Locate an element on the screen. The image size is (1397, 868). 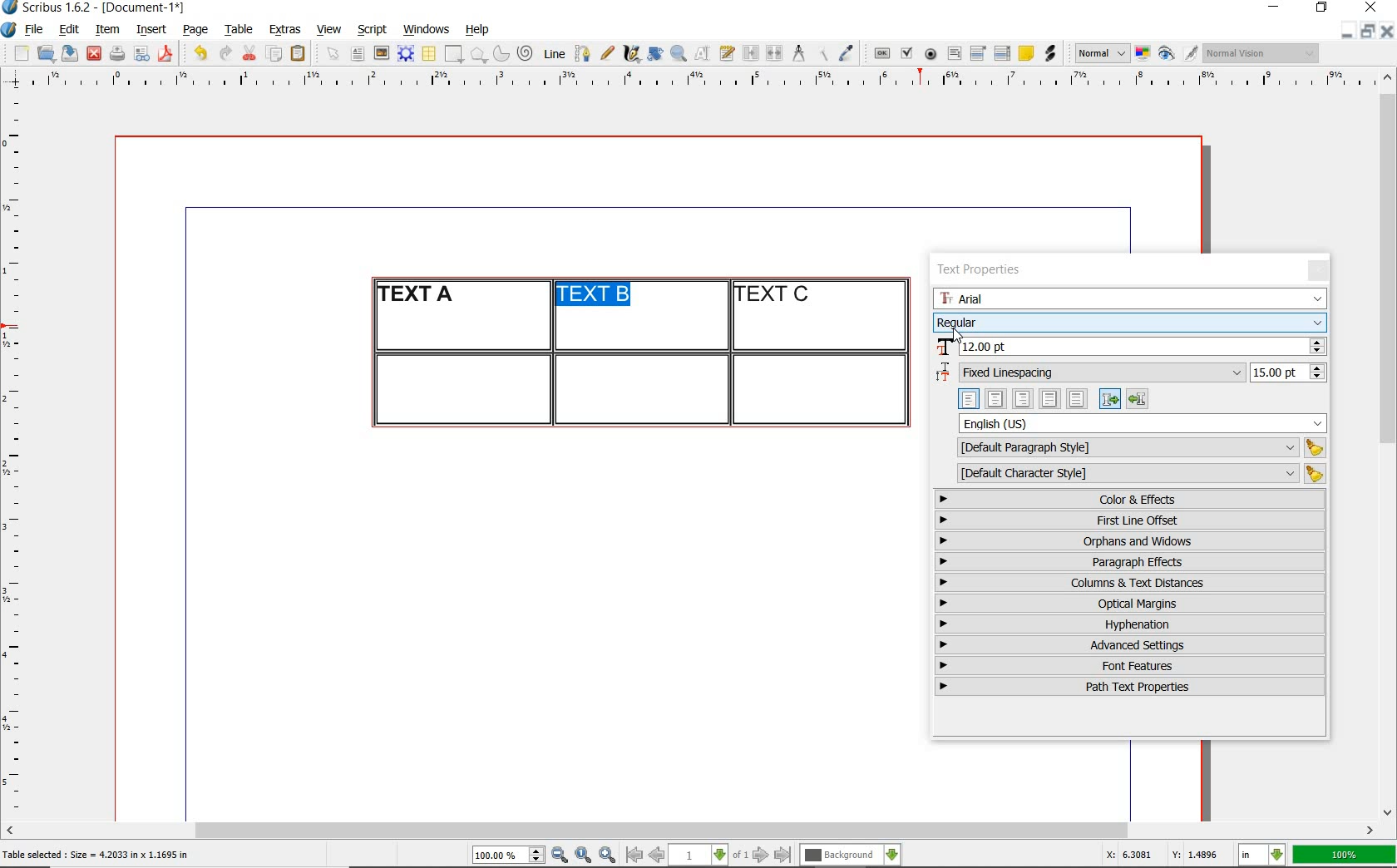
go to first page is located at coordinates (633, 855).